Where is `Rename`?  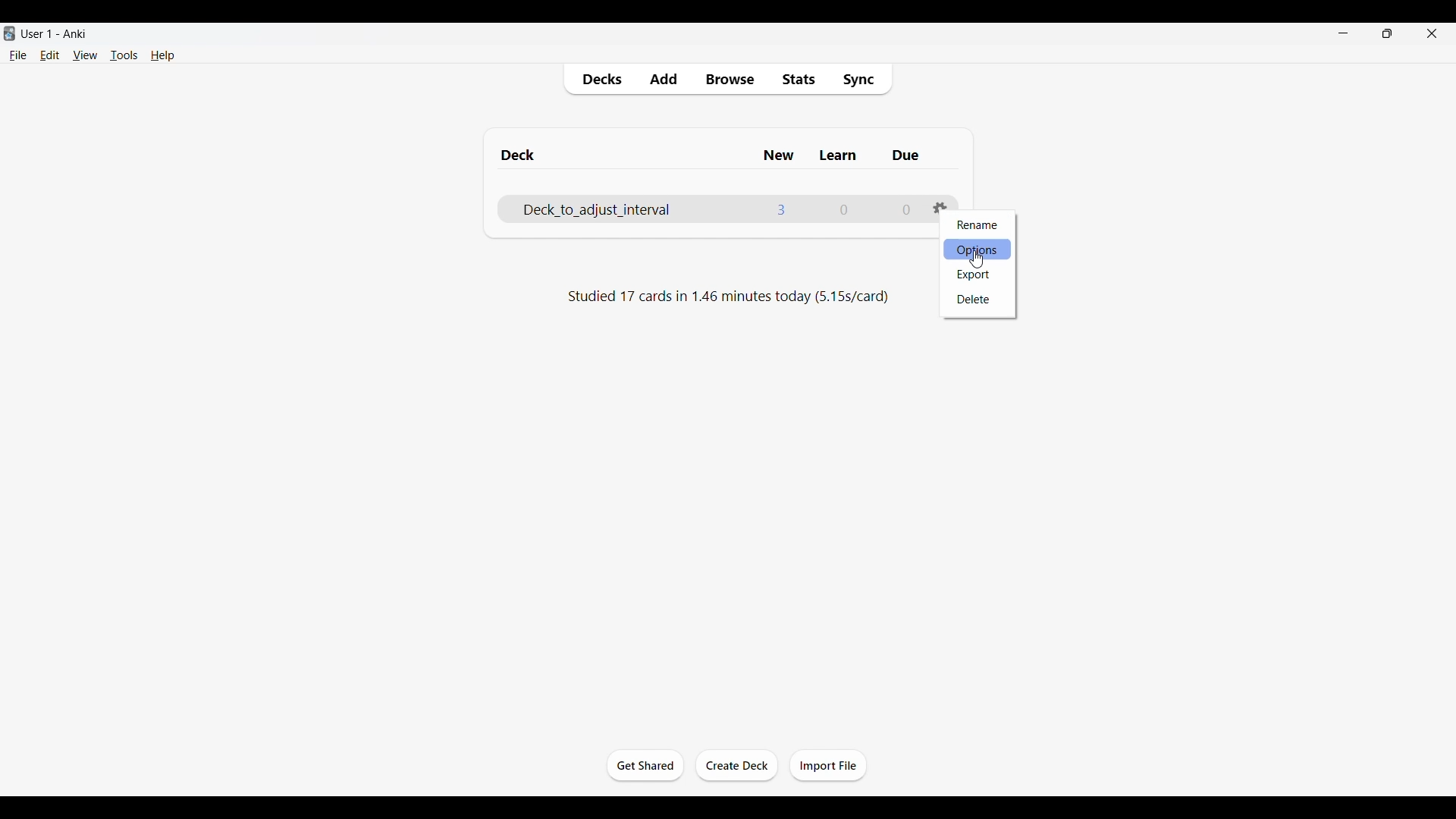
Rename is located at coordinates (978, 224).